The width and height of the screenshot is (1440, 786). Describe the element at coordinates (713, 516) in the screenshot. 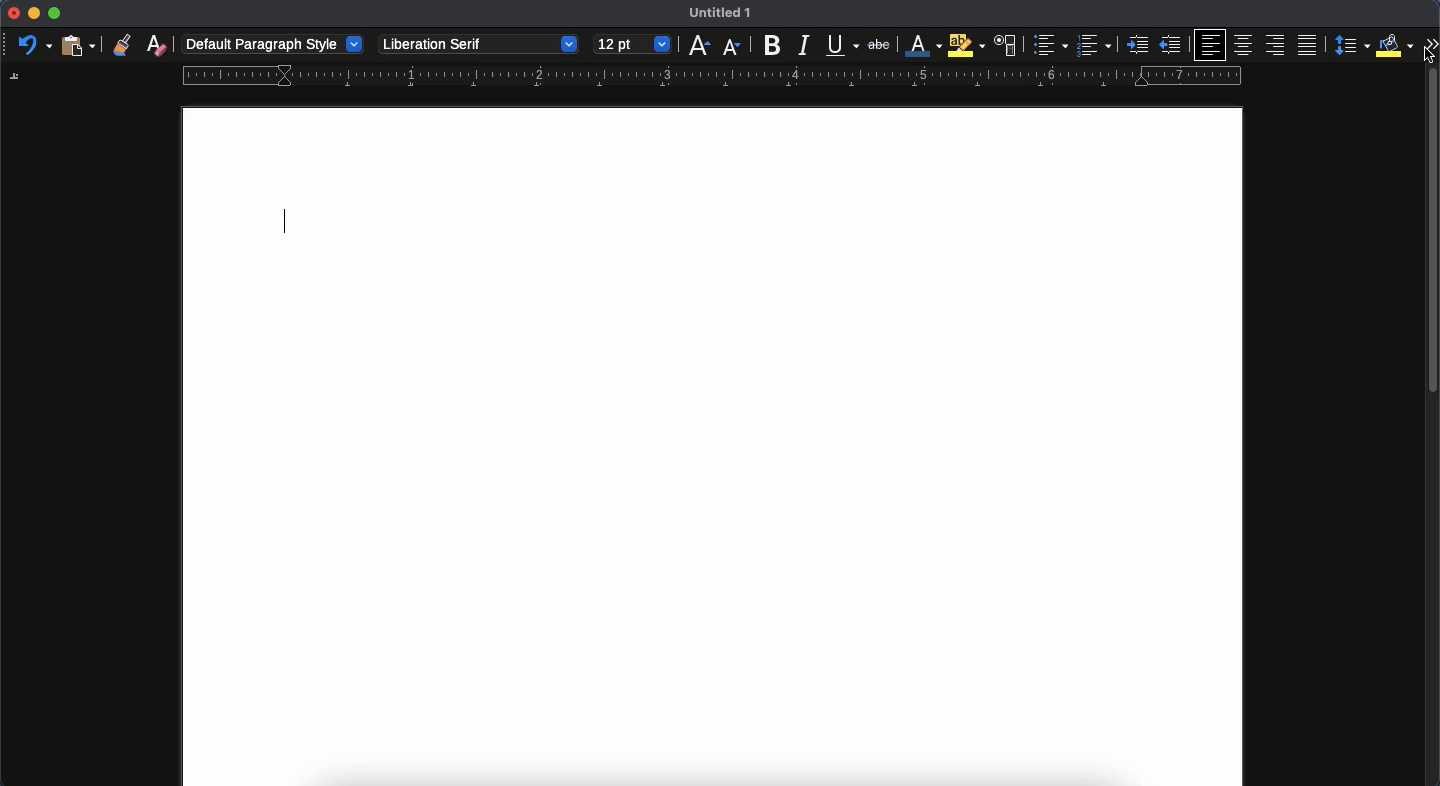

I see `page` at that location.